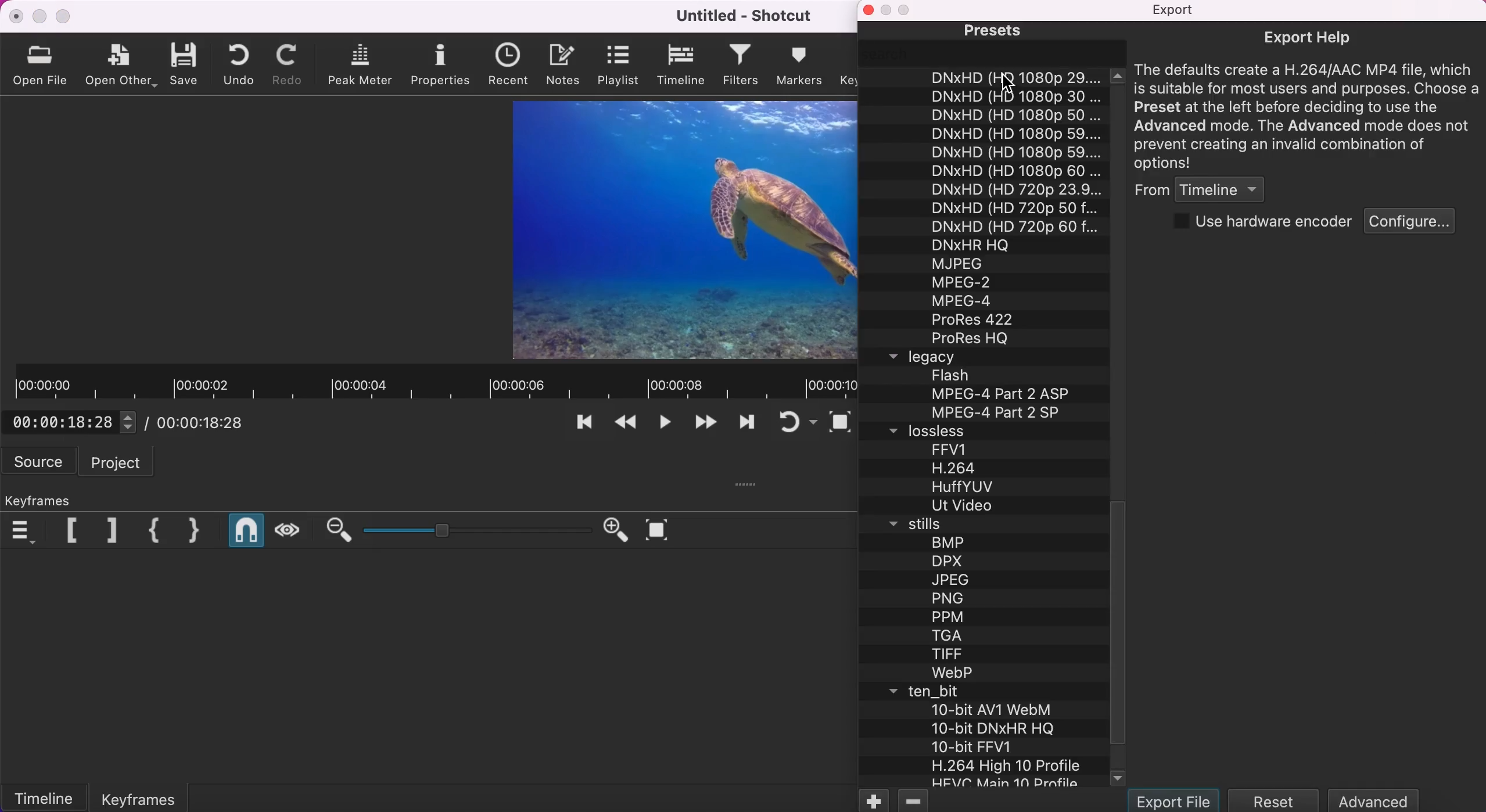 The height and width of the screenshot is (812, 1486). I want to click on clip duration/timeline, so click(429, 382).